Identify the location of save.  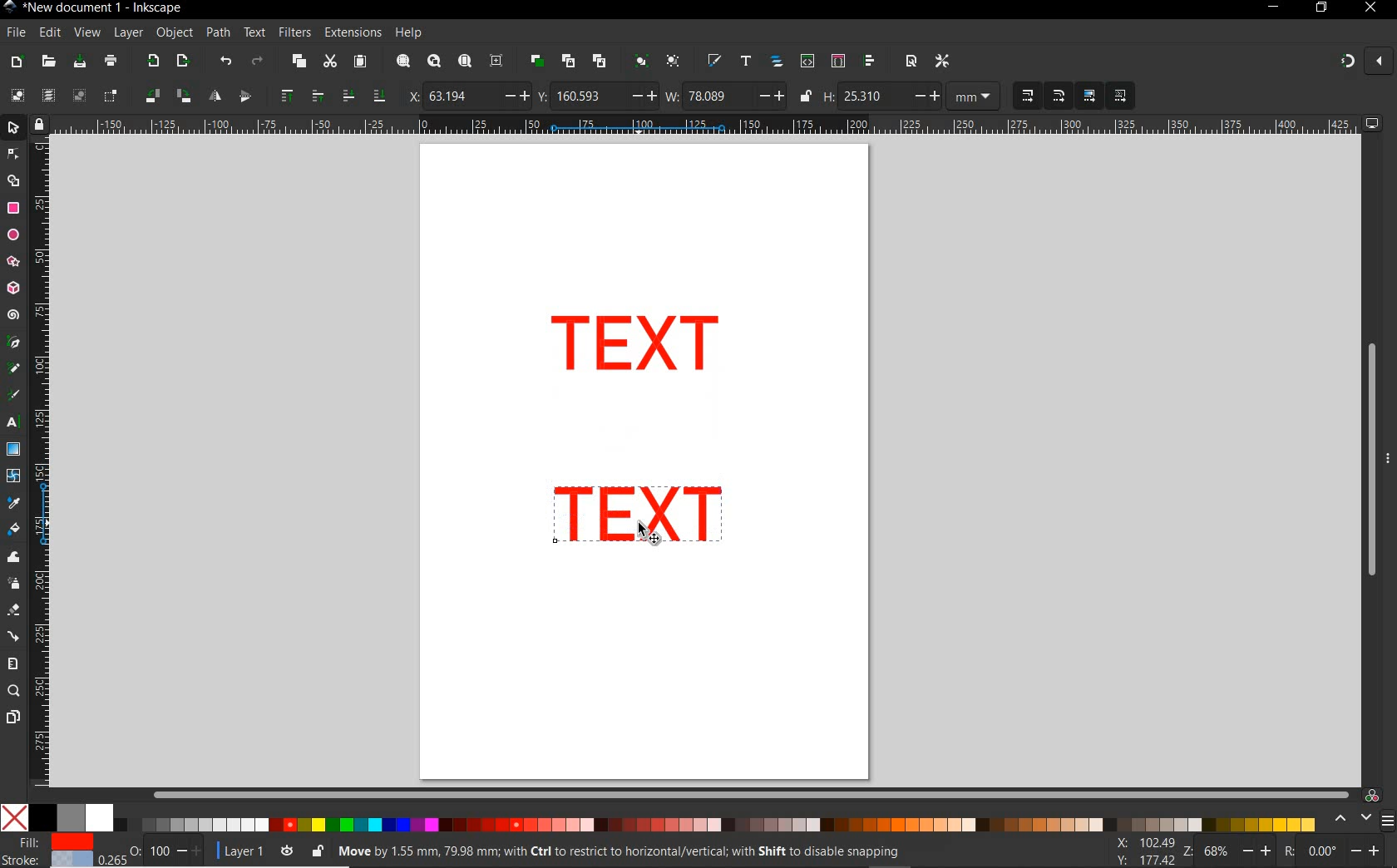
(80, 62).